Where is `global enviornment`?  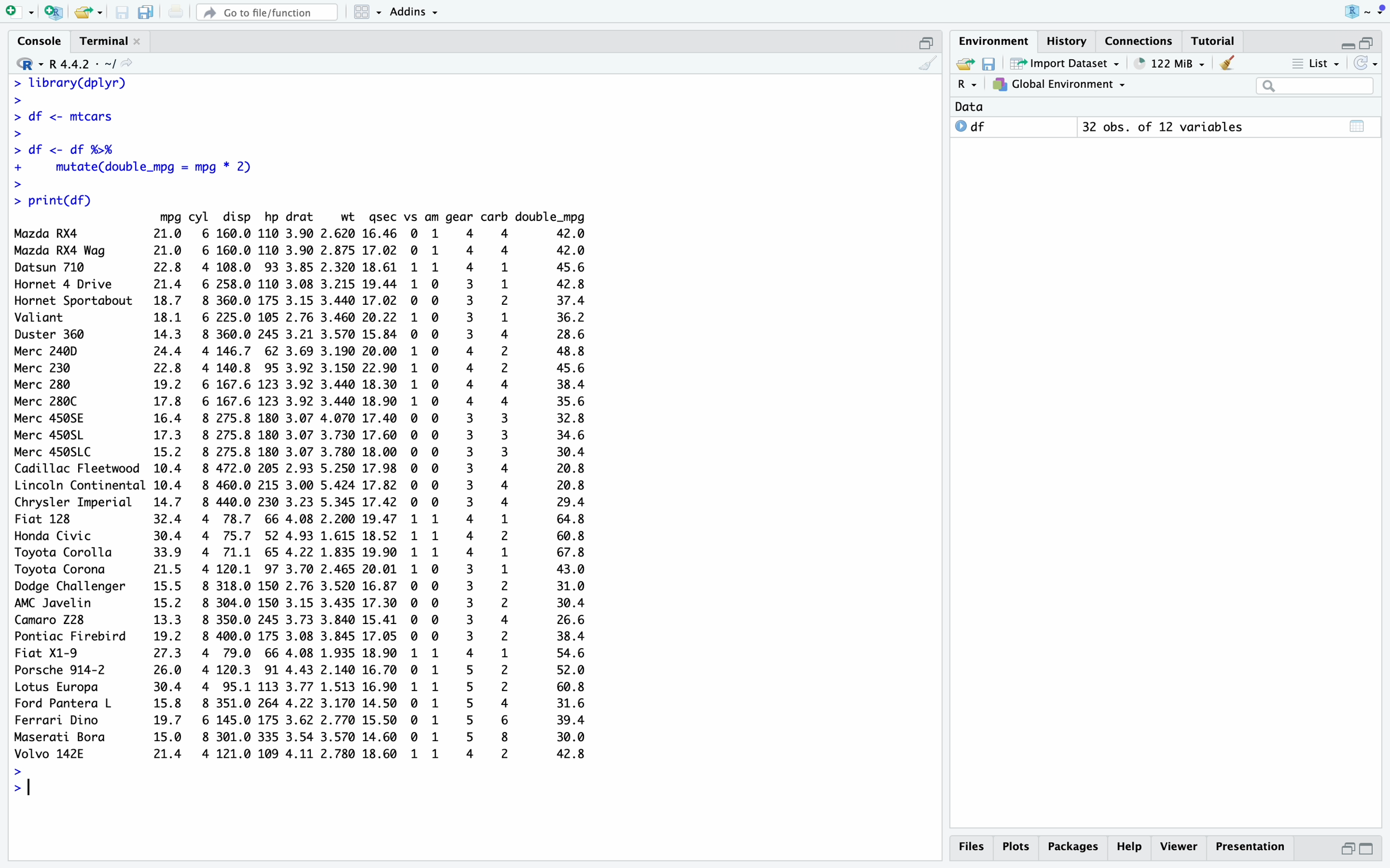
global enviornment is located at coordinates (1059, 84).